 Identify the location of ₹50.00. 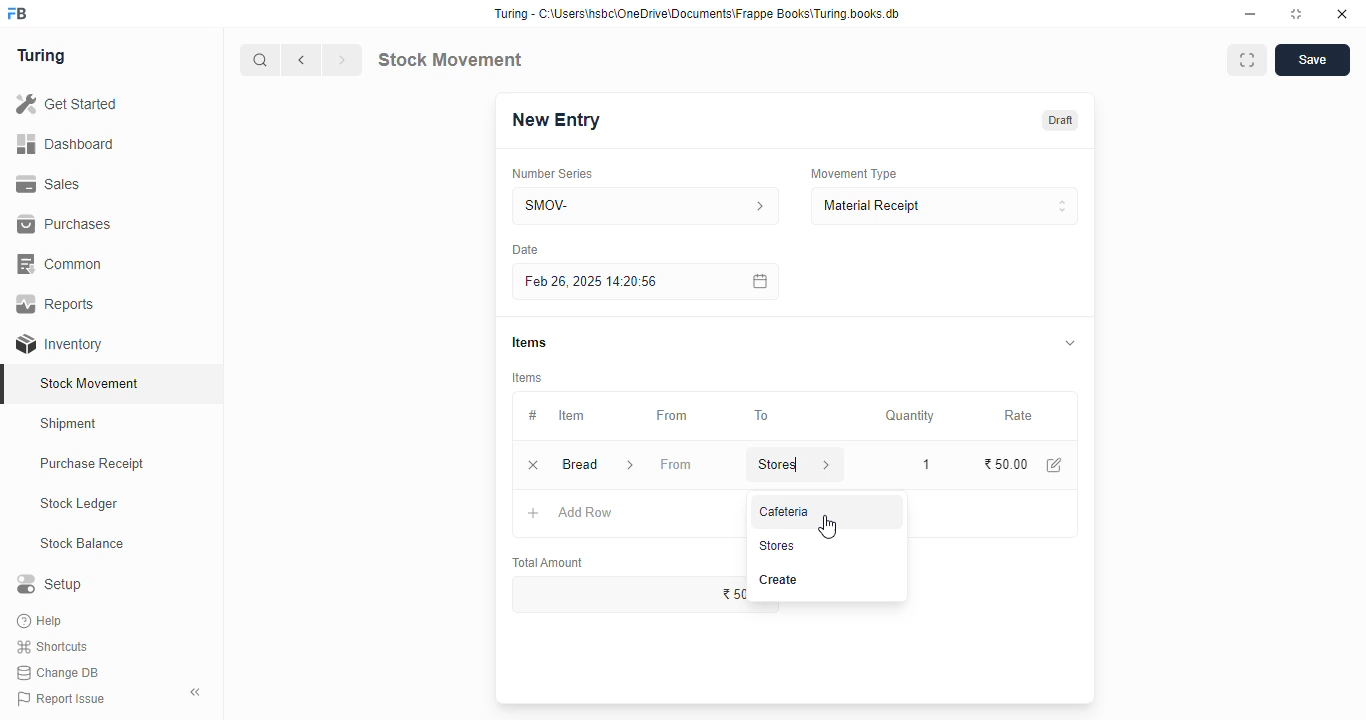
(1007, 464).